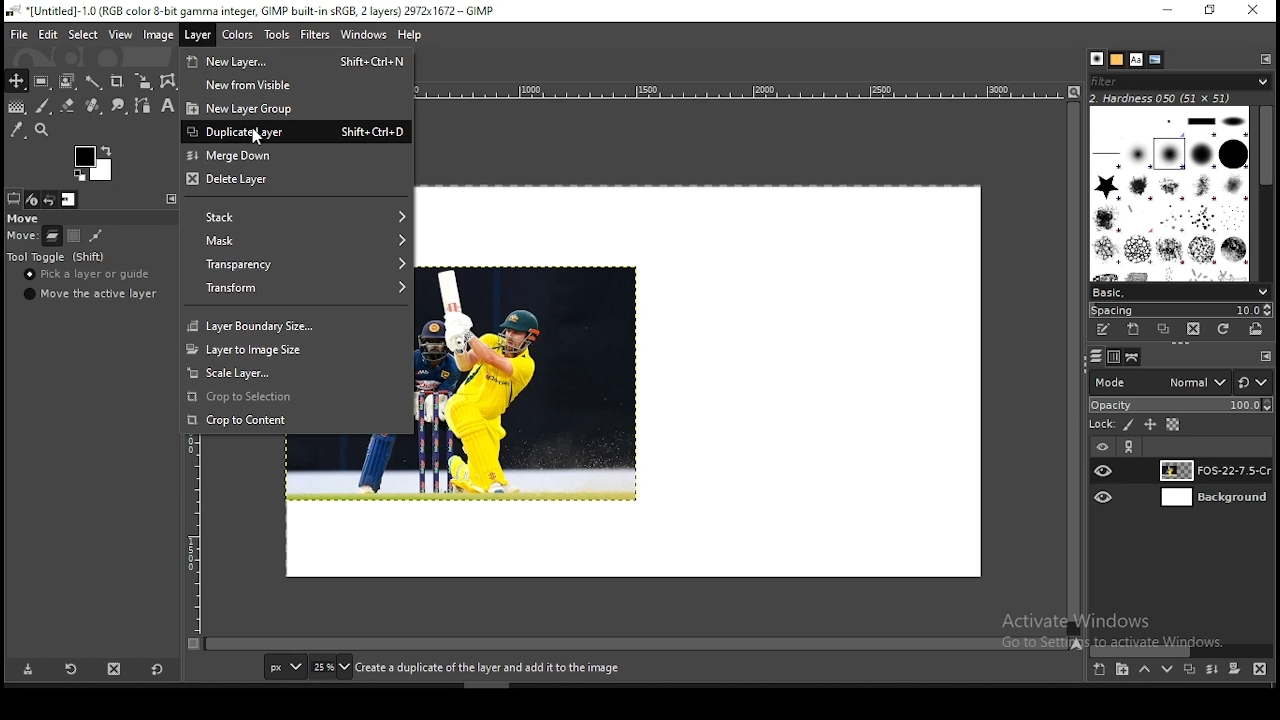 This screenshot has width=1280, height=720. What do you see at coordinates (1094, 357) in the screenshot?
I see `layers` at bounding box center [1094, 357].